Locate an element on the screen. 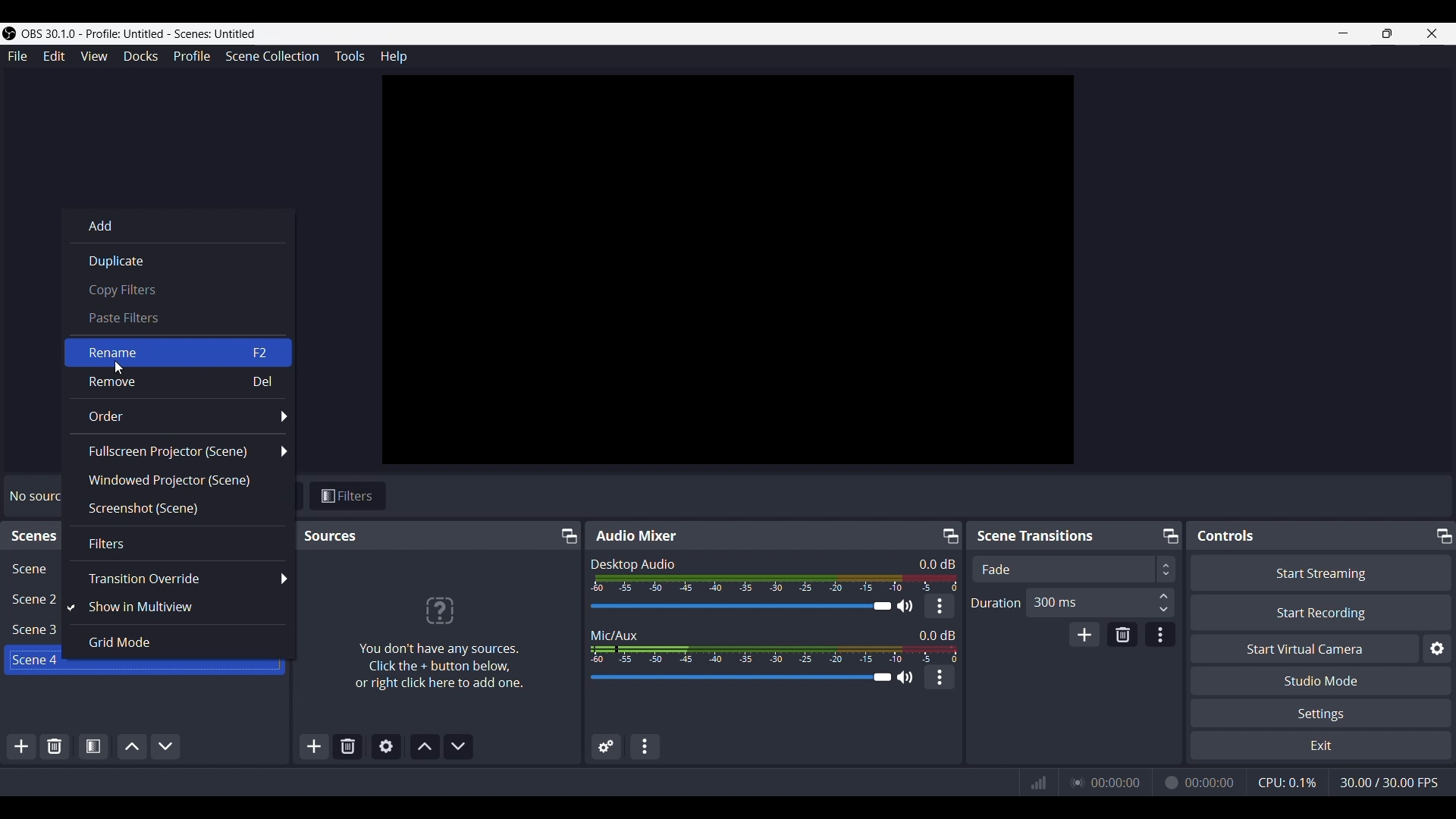 The width and height of the screenshot is (1456, 819). canvas is located at coordinates (730, 269).